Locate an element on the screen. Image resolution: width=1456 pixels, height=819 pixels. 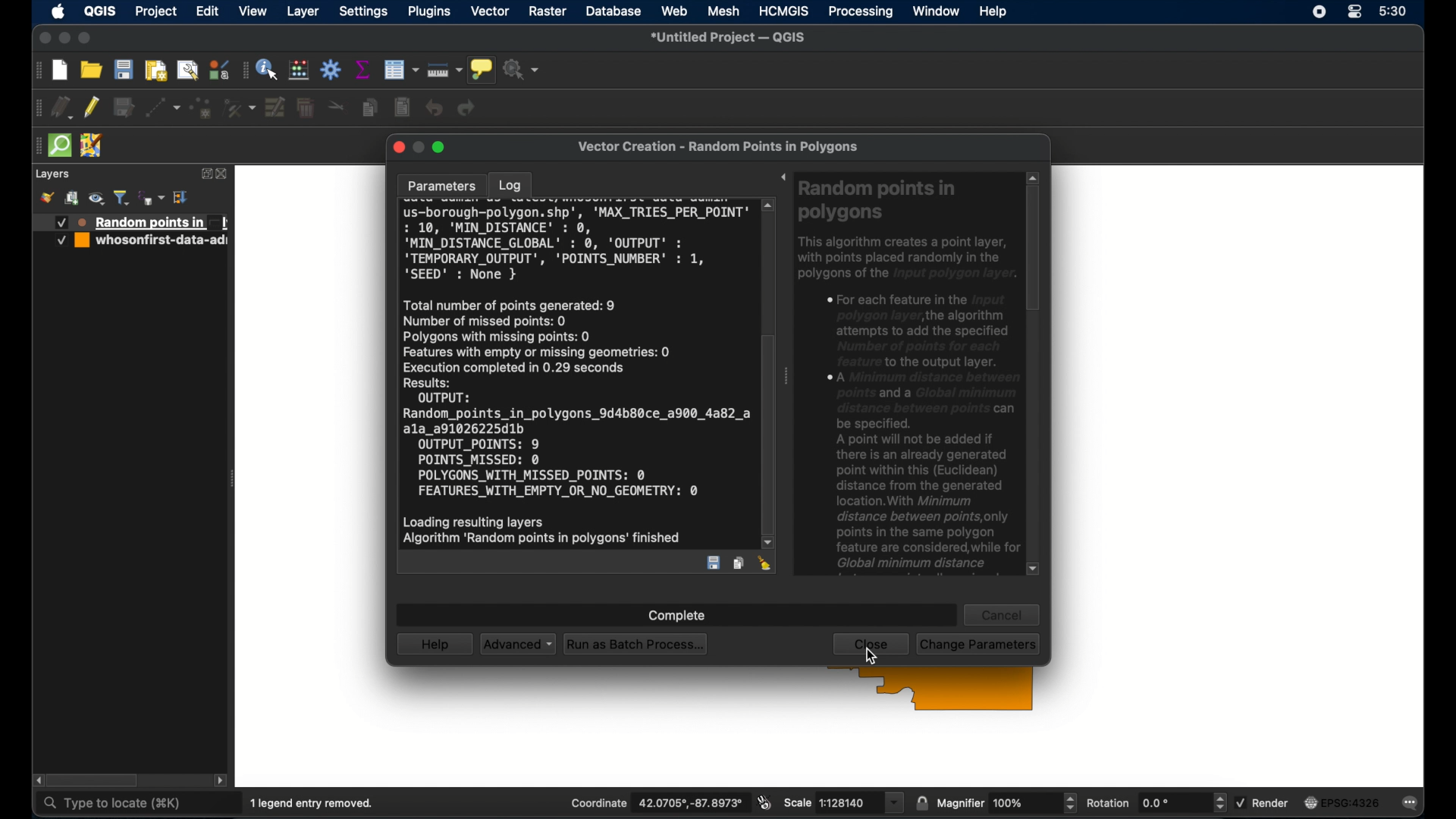
open layout manager is located at coordinates (188, 69).